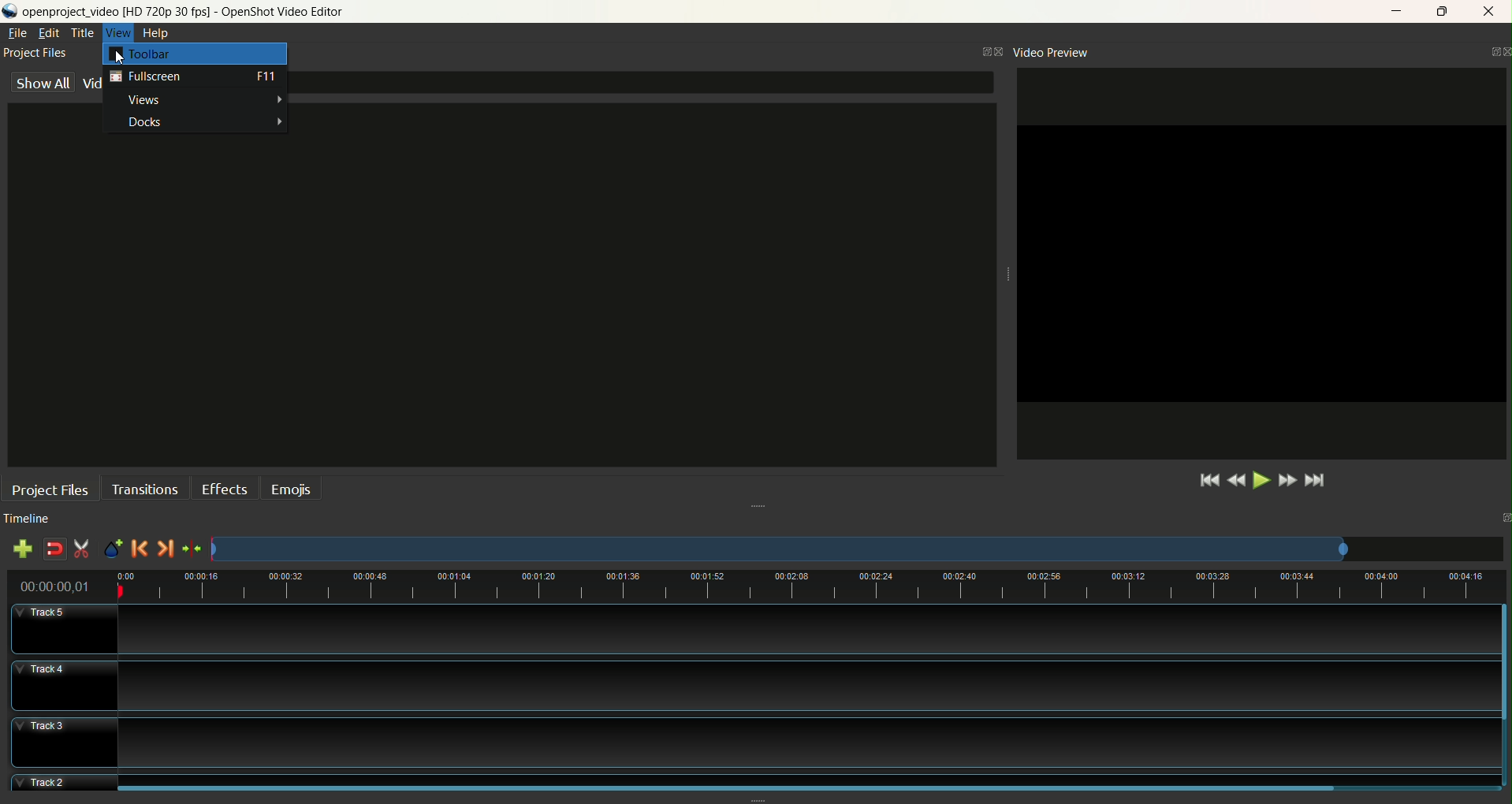  I want to click on show all, so click(43, 84).